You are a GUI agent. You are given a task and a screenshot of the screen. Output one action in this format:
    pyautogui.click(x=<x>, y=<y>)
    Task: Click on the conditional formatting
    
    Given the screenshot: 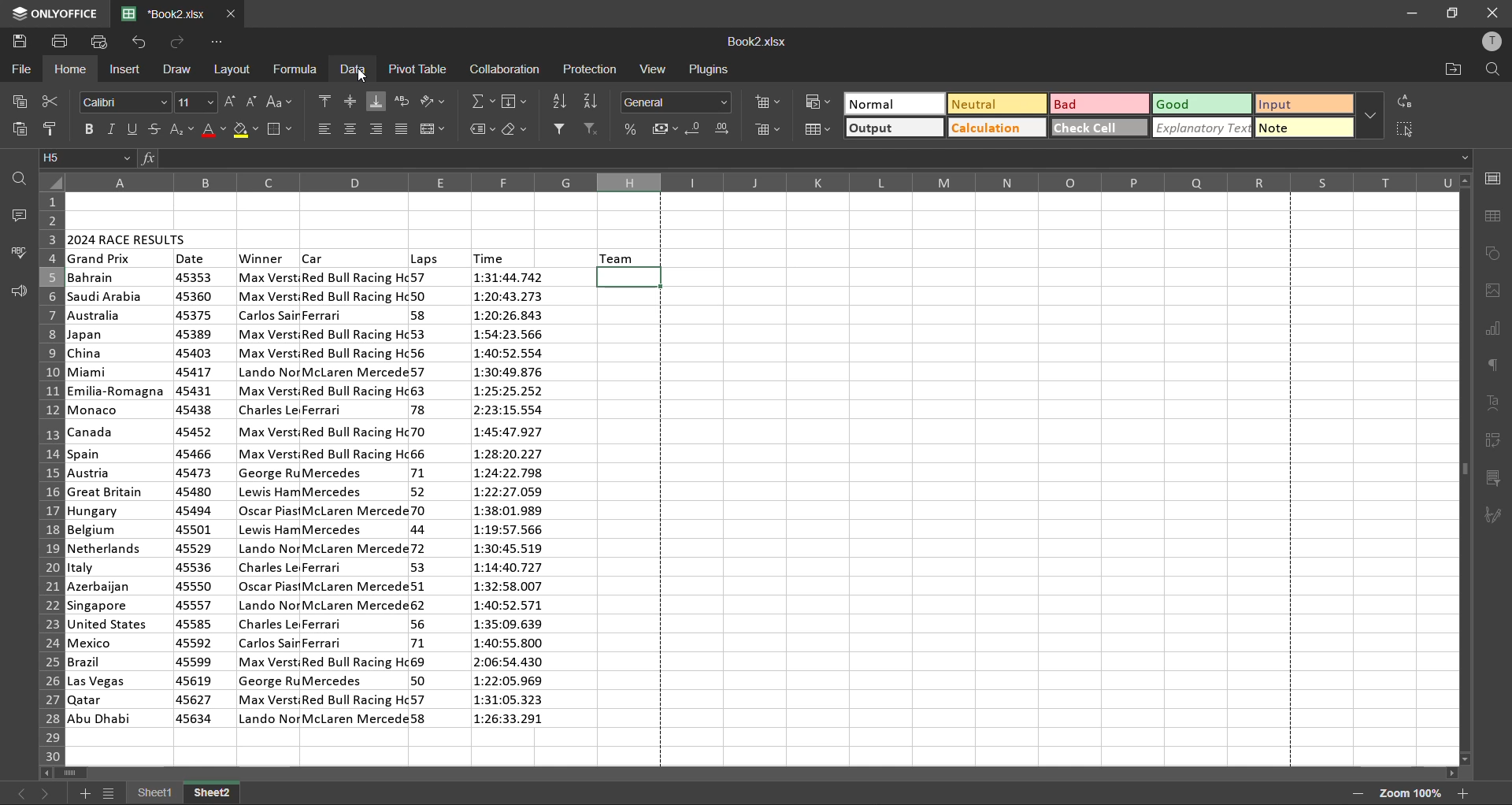 What is the action you would take?
    pyautogui.click(x=821, y=103)
    